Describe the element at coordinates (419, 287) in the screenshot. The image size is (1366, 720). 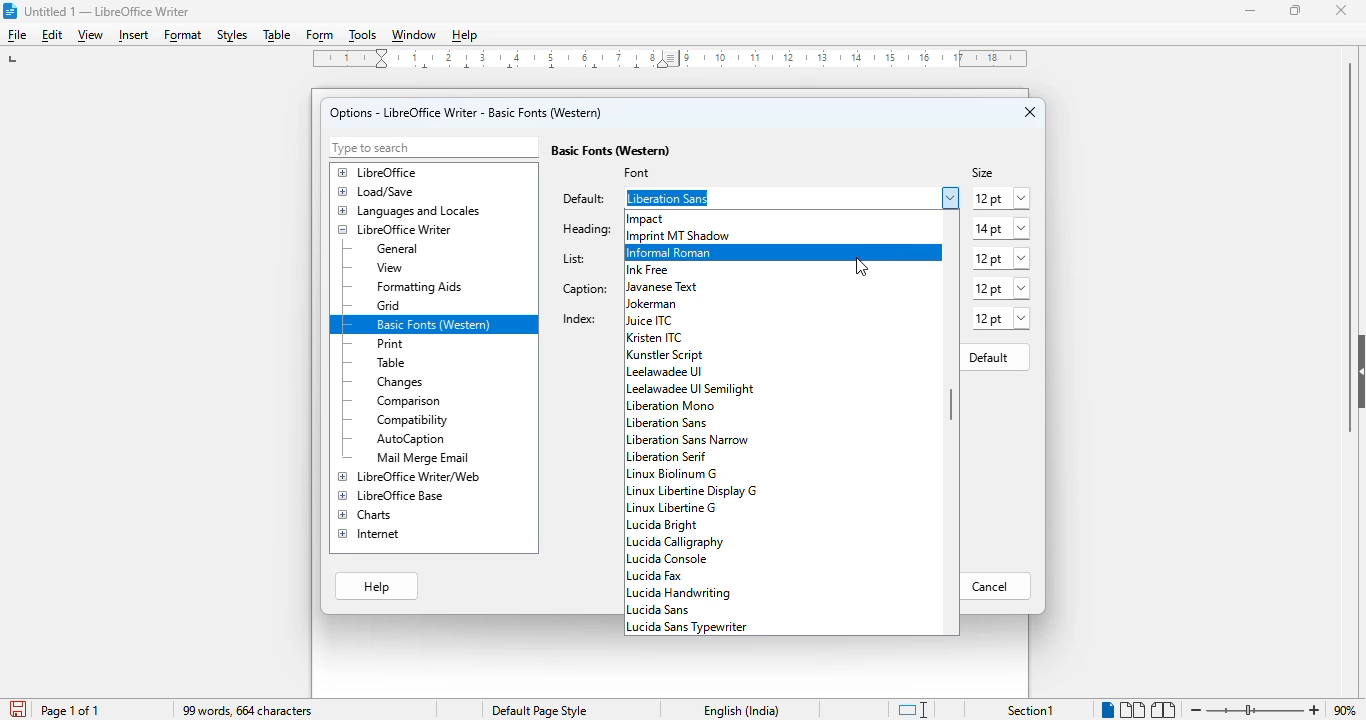
I see `formatting aids` at that location.